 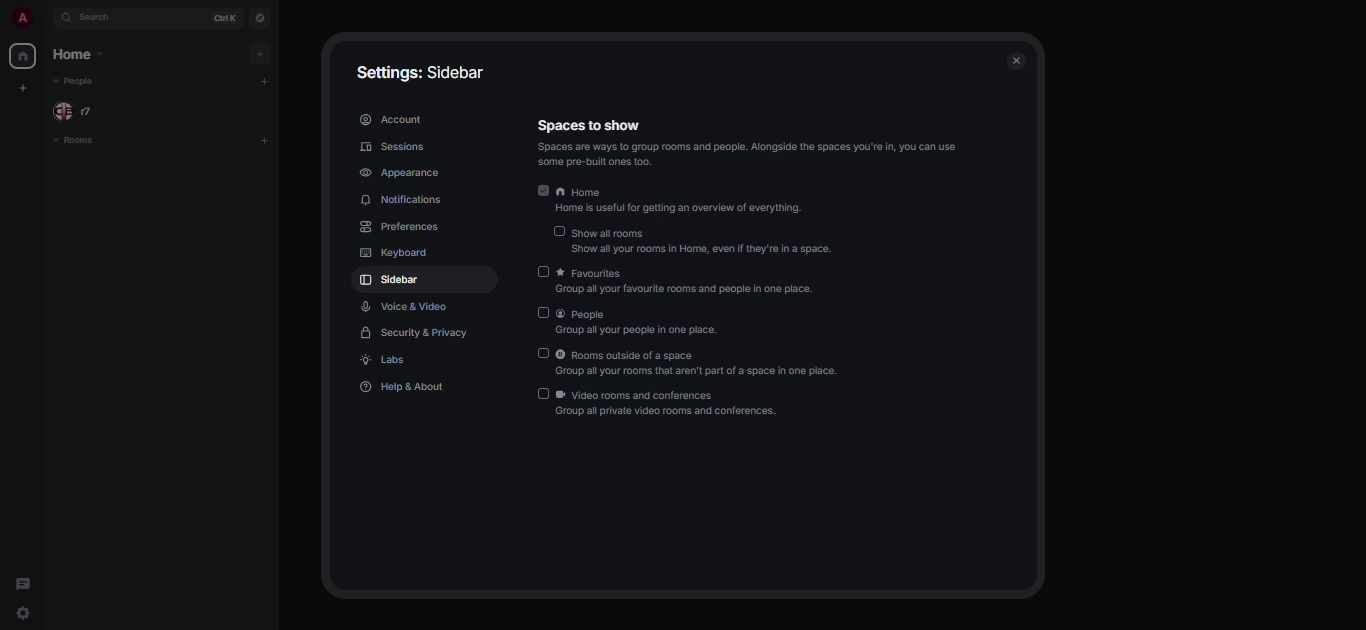 What do you see at coordinates (46, 17) in the screenshot?
I see `expand` at bounding box center [46, 17].